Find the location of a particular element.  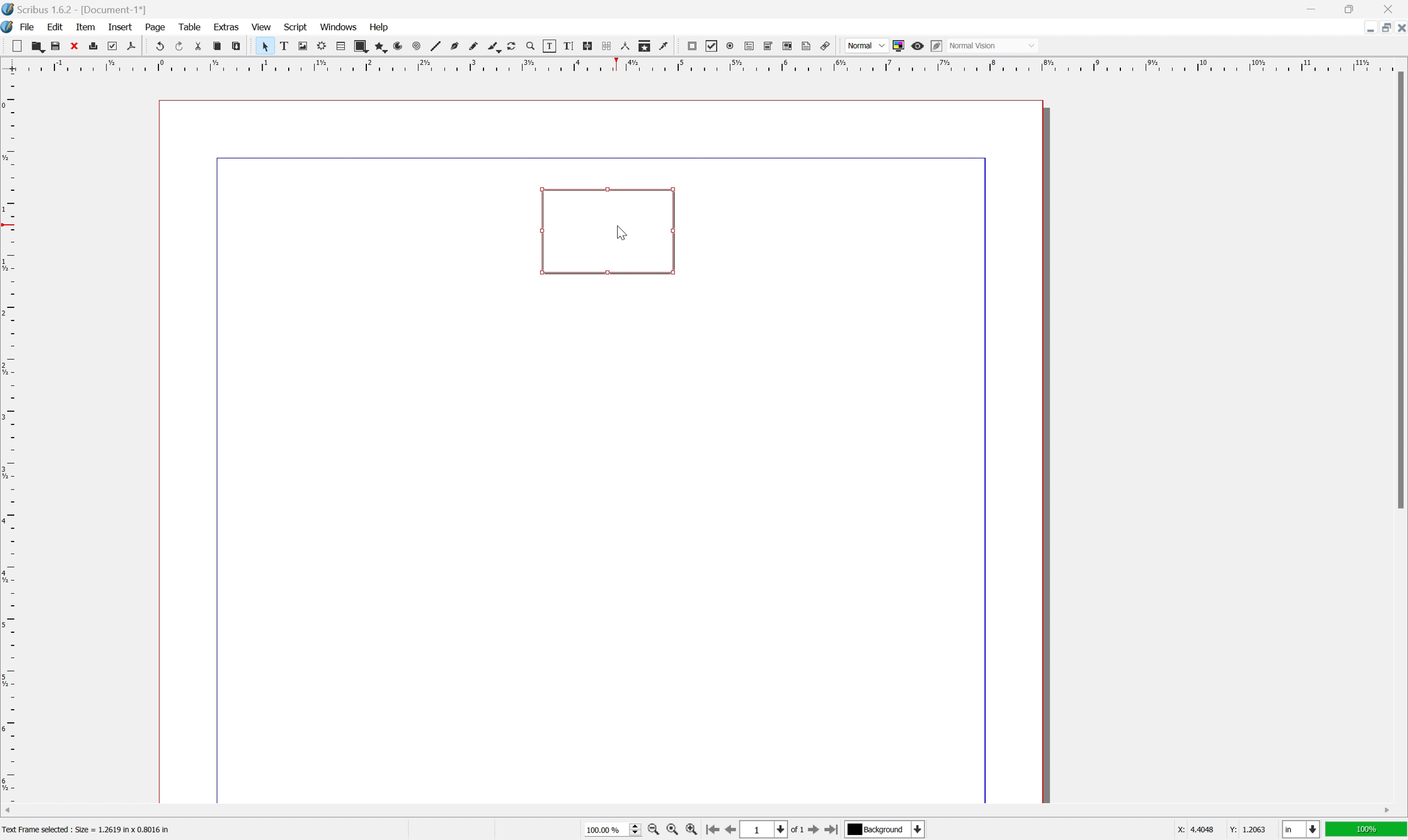

Edit in preview mode is located at coordinates (936, 46).